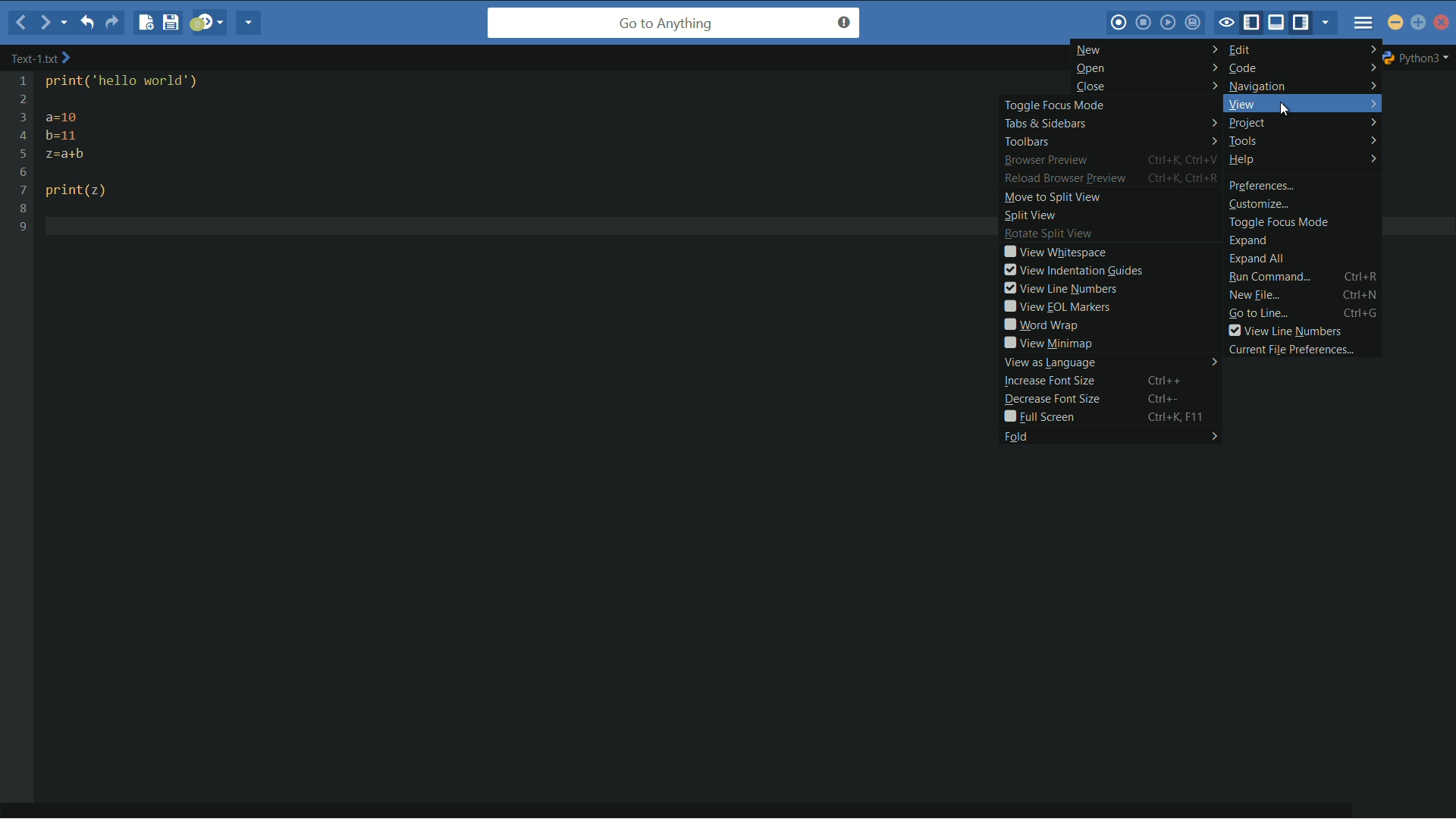 The height and width of the screenshot is (819, 1456). I want to click on save macro to toolbox, so click(1194, 24).